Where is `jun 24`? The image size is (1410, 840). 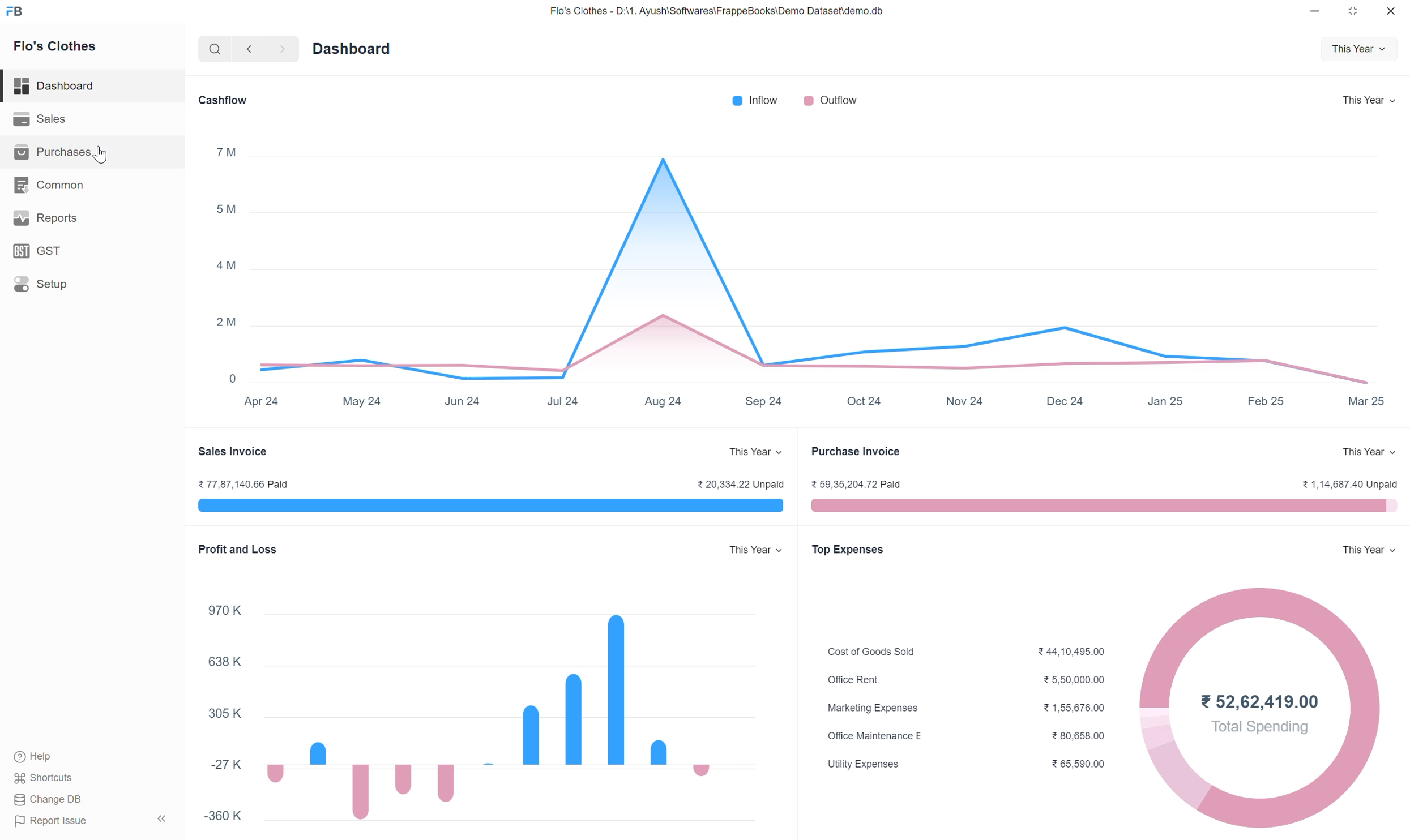
jun 24 is located at coordinates (463, 402).